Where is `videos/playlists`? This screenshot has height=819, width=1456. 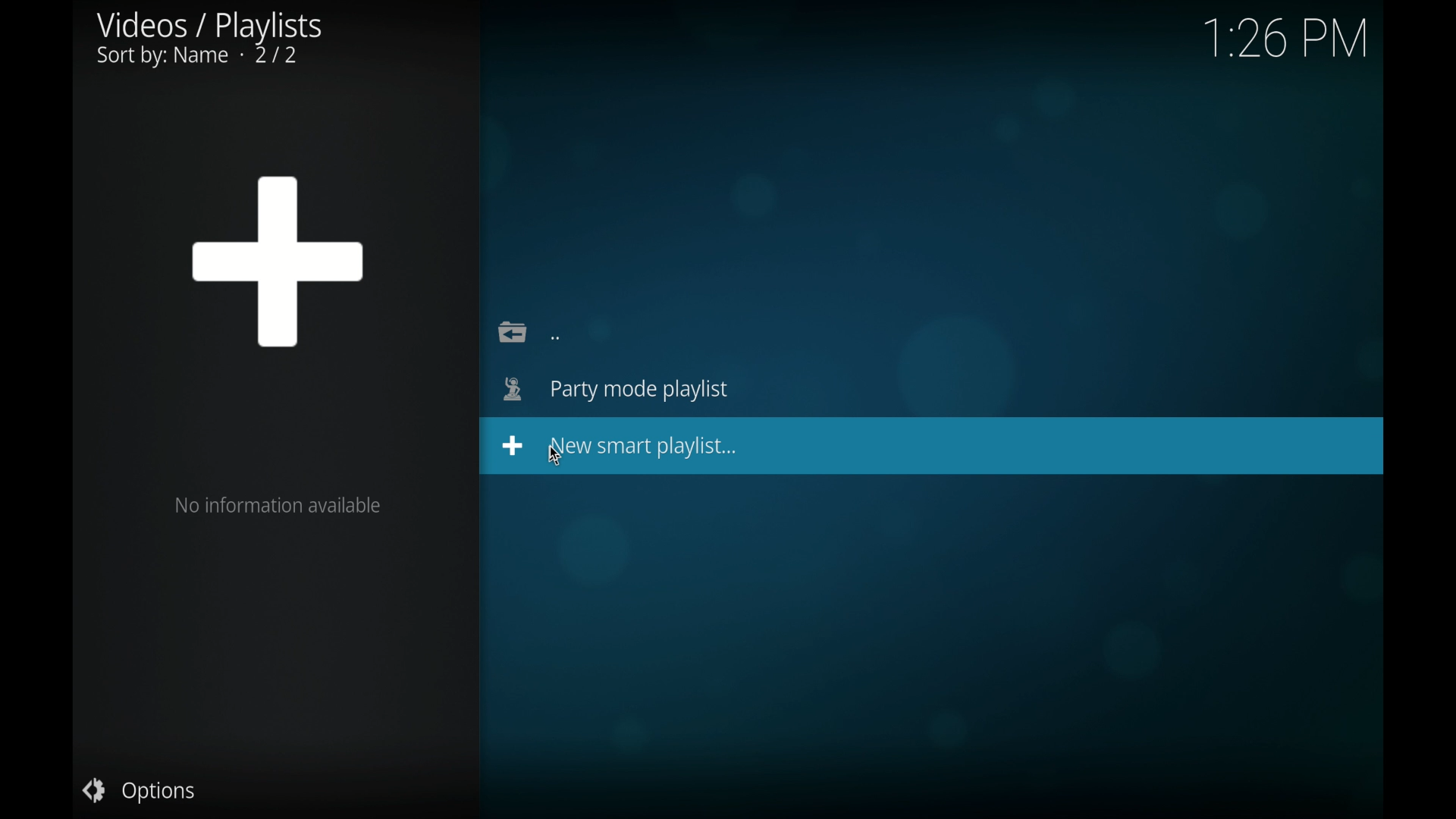
videos/playlists is located at coordinates (209, 39).